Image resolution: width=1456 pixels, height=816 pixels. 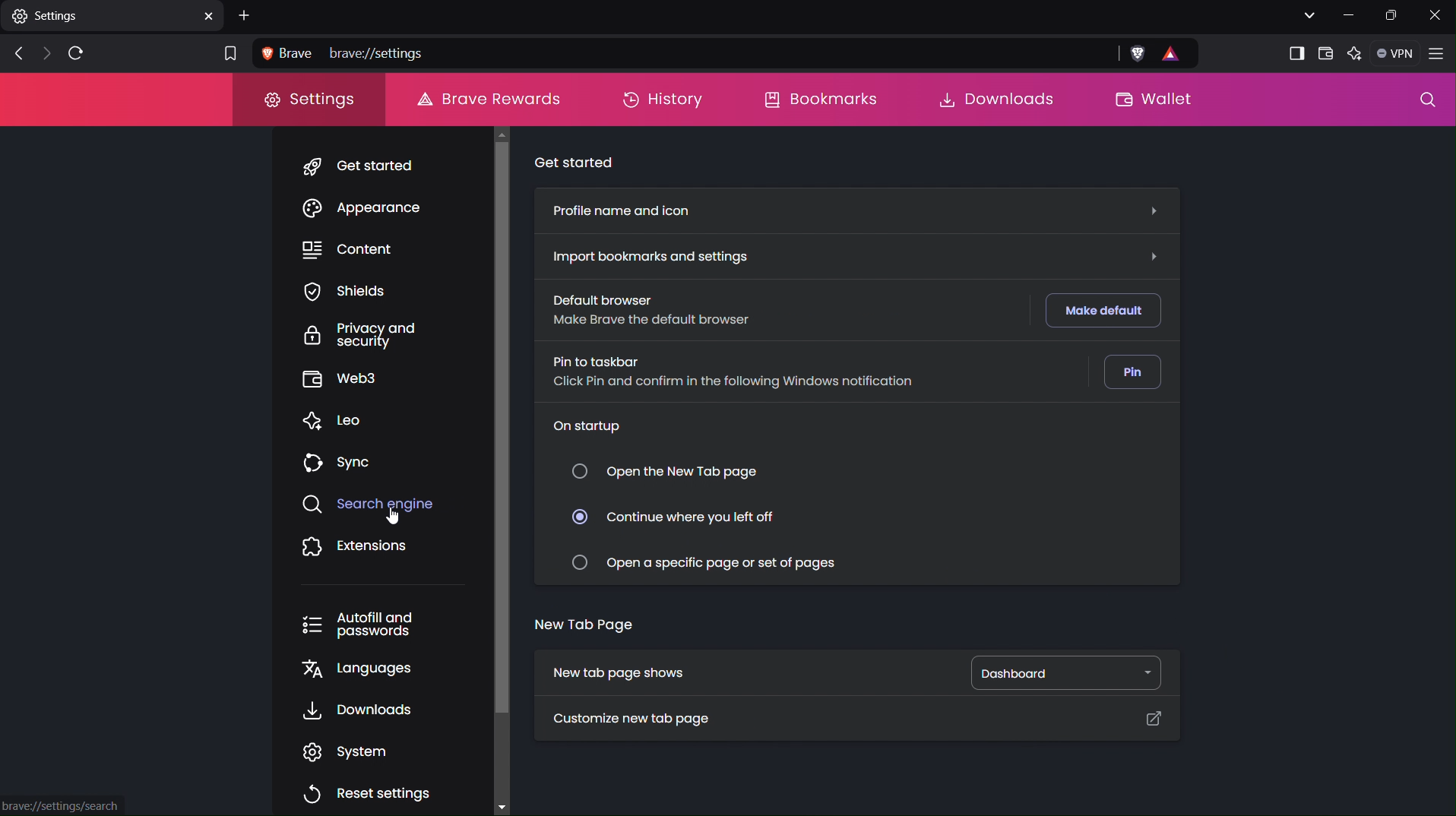 I want to click on Import bookmarks and settings, so click(x=658, y=256).